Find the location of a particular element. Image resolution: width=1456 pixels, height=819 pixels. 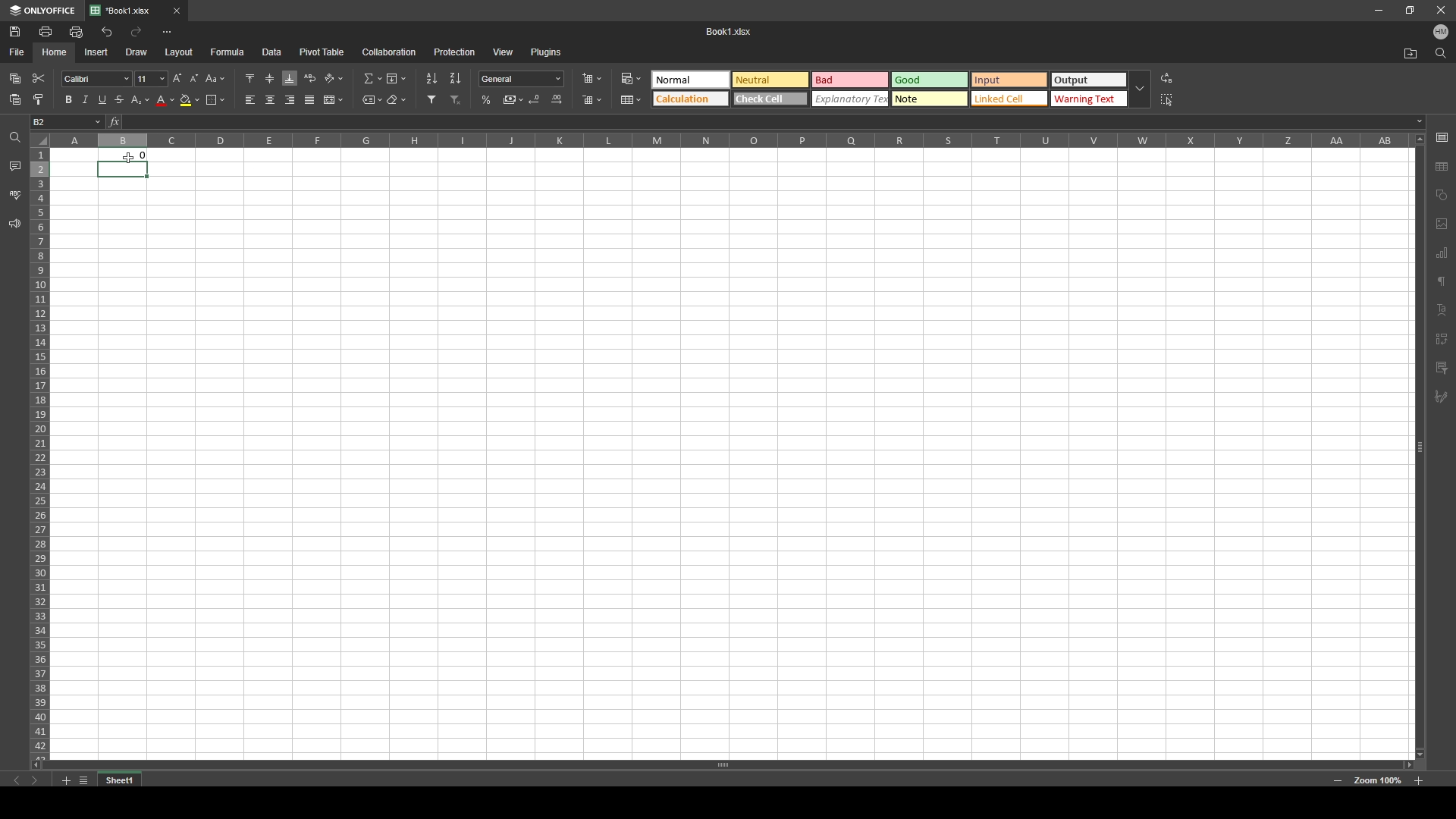

redo is located at coordinates (136, 32).